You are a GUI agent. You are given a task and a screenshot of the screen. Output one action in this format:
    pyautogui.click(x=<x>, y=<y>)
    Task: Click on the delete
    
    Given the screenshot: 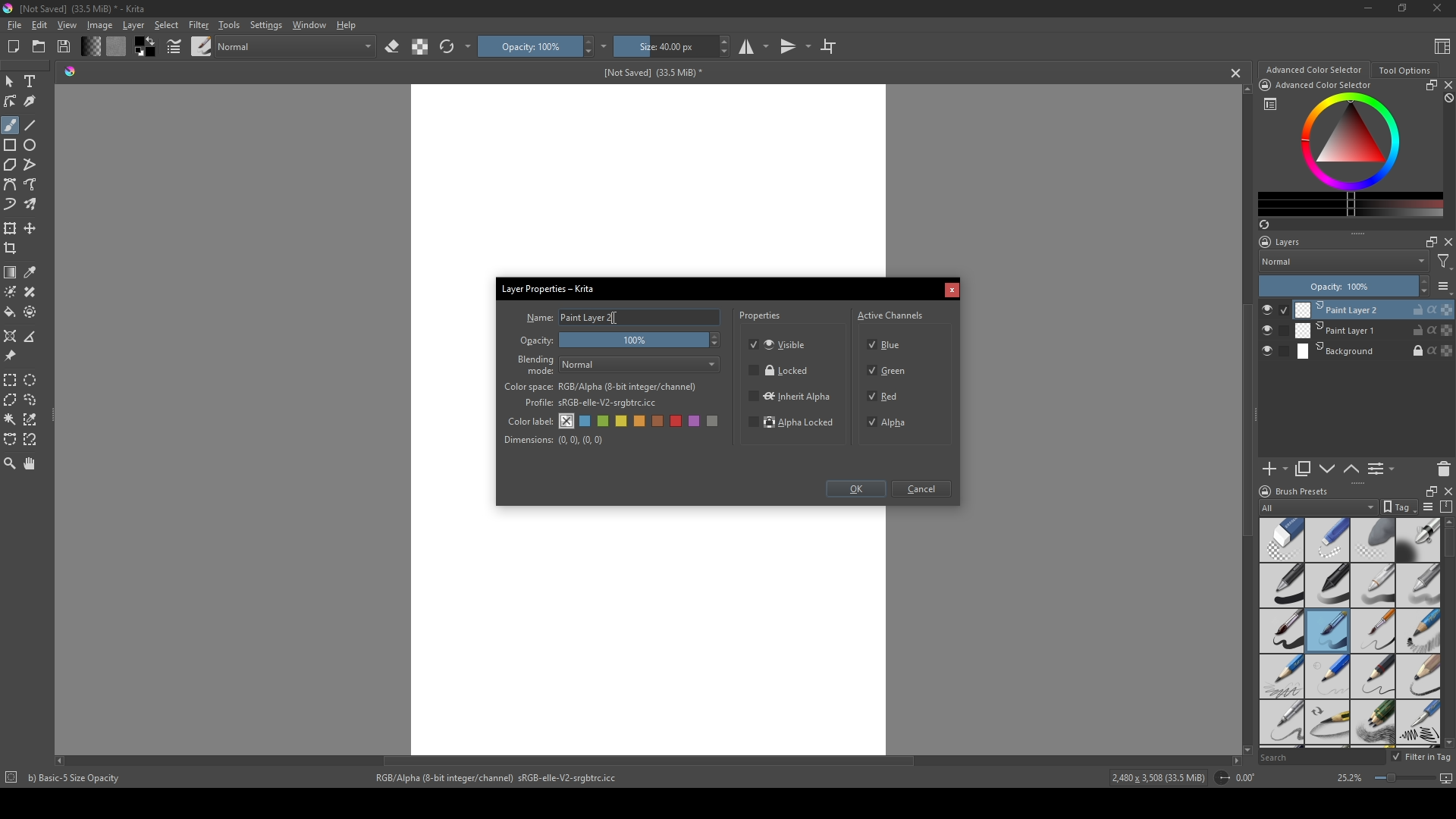 What is the action you would take?
    pyautogui.click(x=1444, y=469)
    